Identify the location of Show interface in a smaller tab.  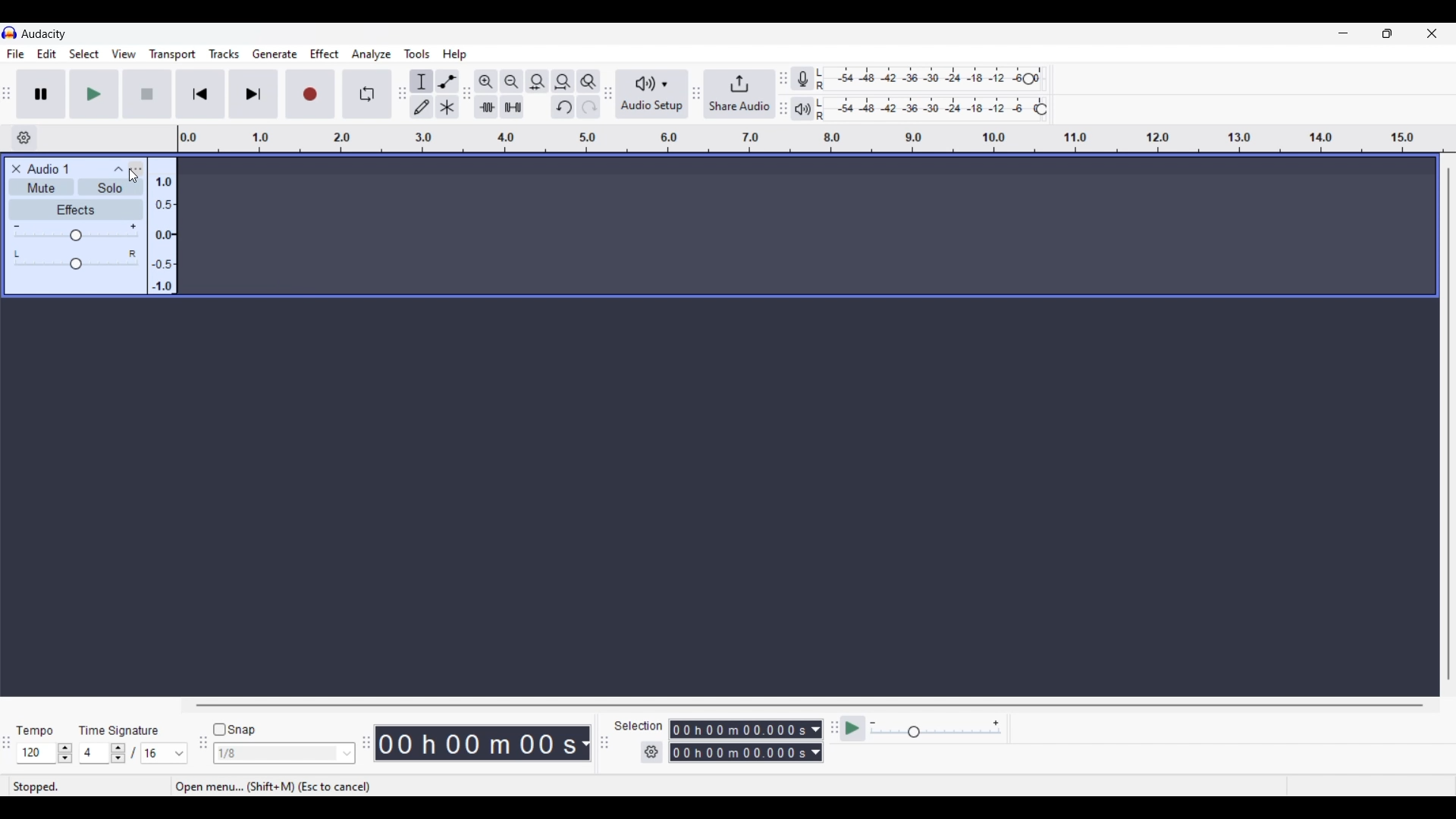
(1387, 33).